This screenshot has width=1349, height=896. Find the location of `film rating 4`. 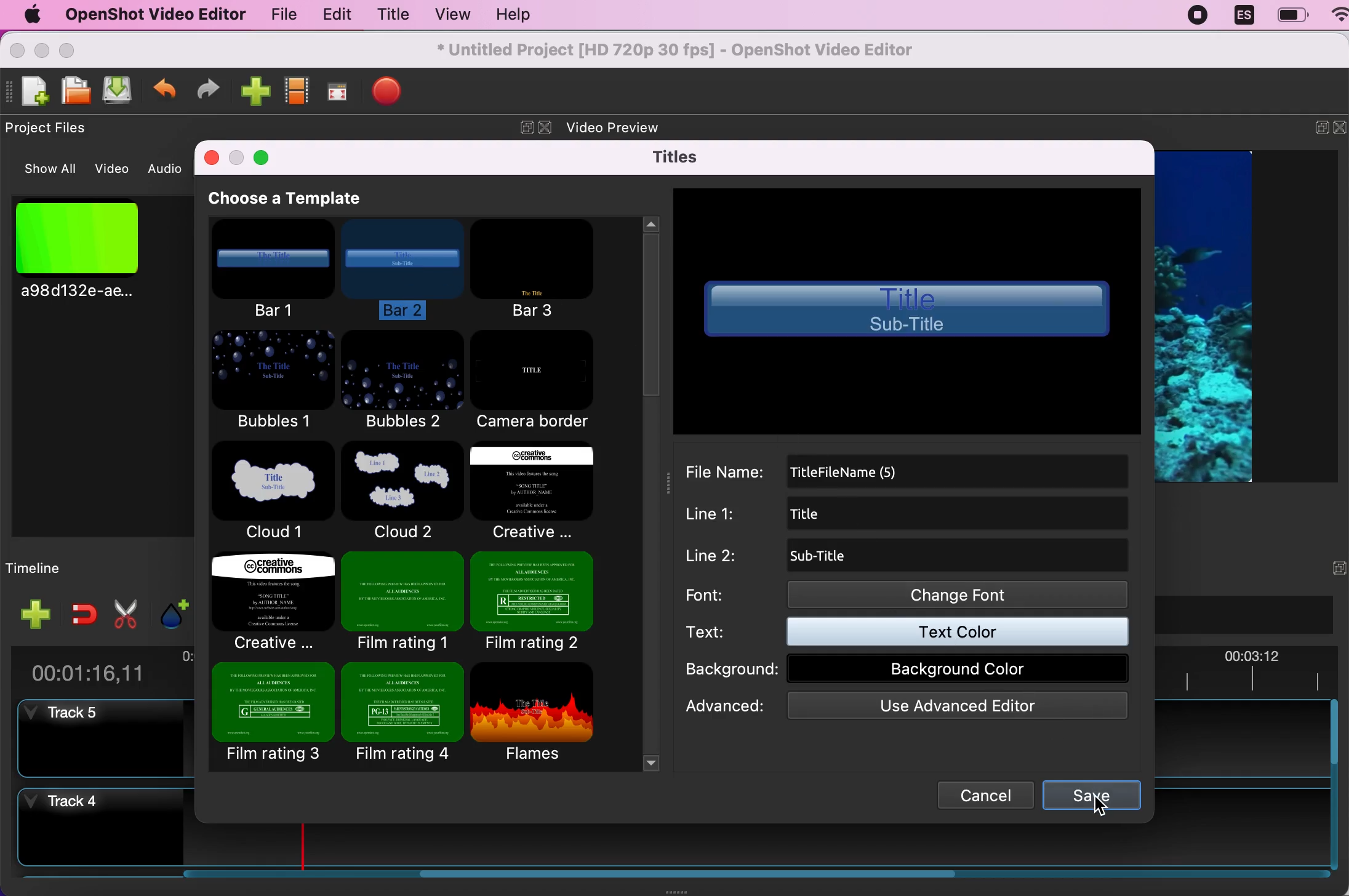

film rating 4 is located at coordinates (402, 714).